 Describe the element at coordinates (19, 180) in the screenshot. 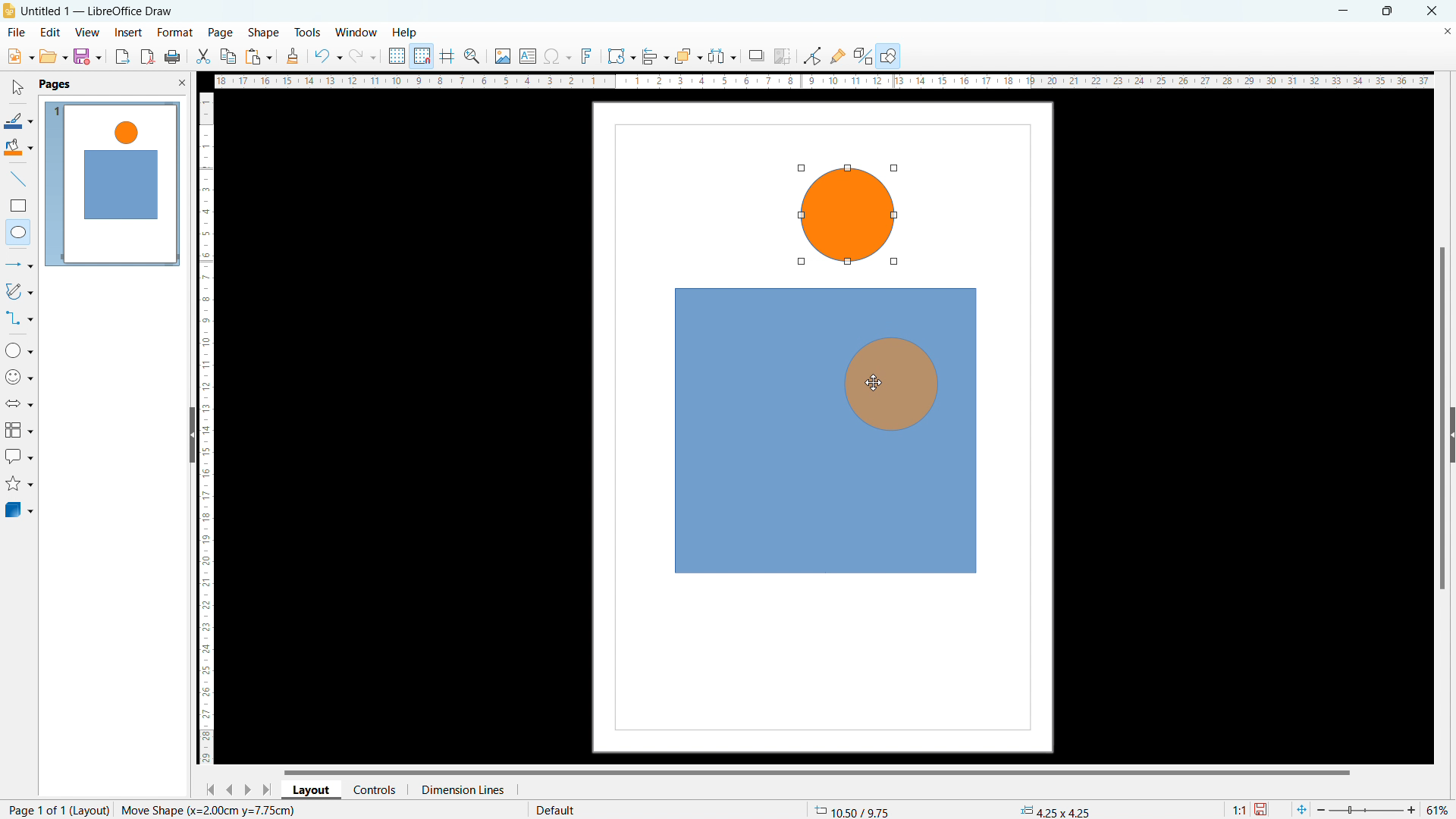

I see `line` at that location.